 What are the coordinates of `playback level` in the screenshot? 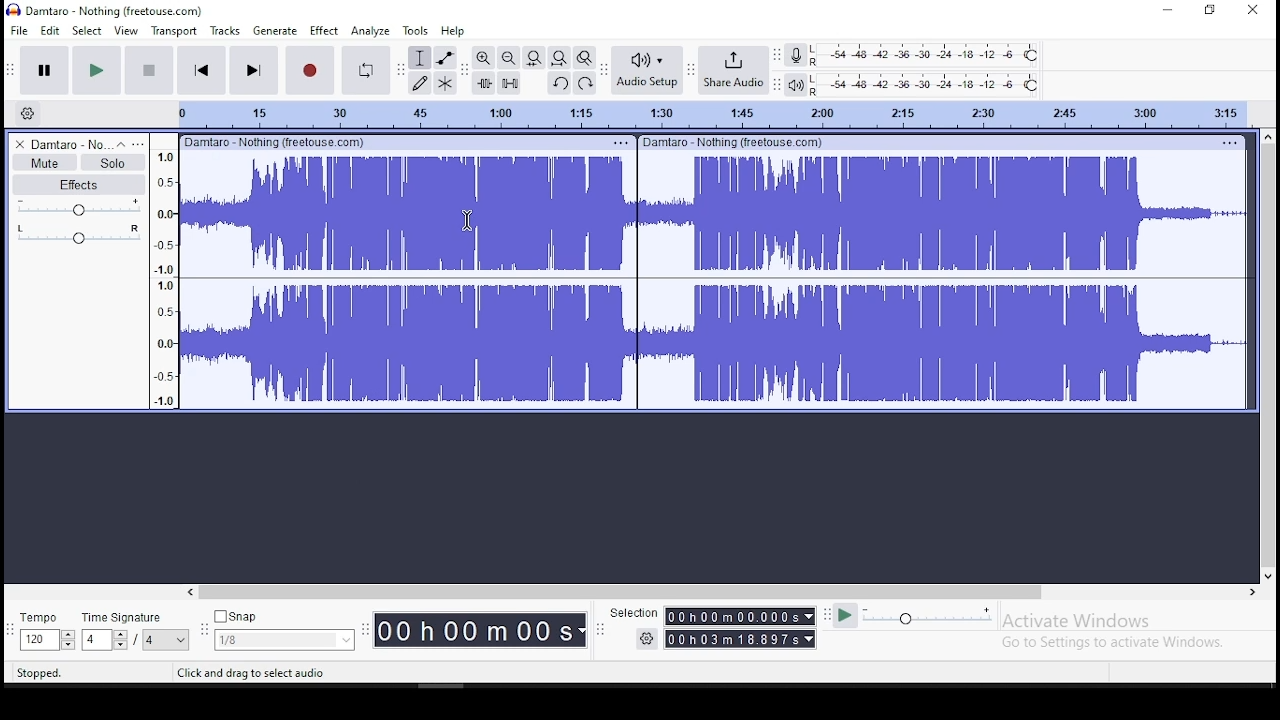 It's located at (930, 83).